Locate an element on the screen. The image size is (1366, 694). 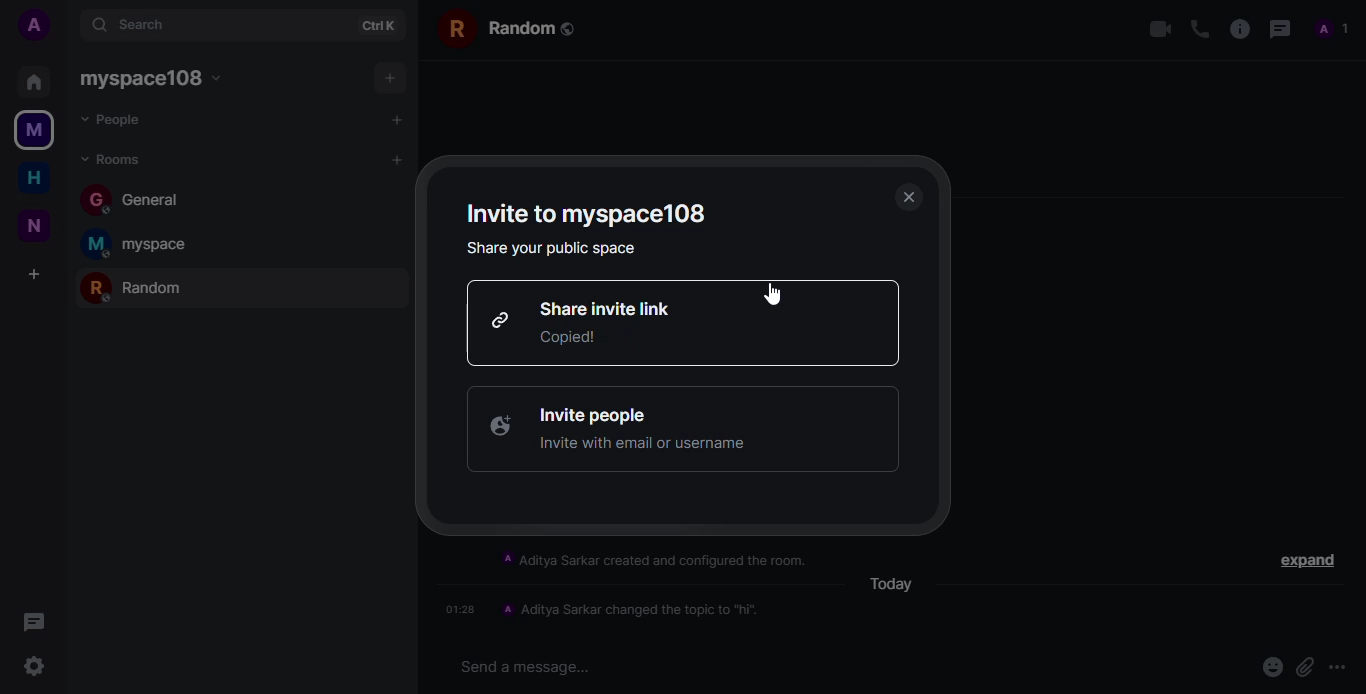
01:28 is located at coordinates (459, 610).